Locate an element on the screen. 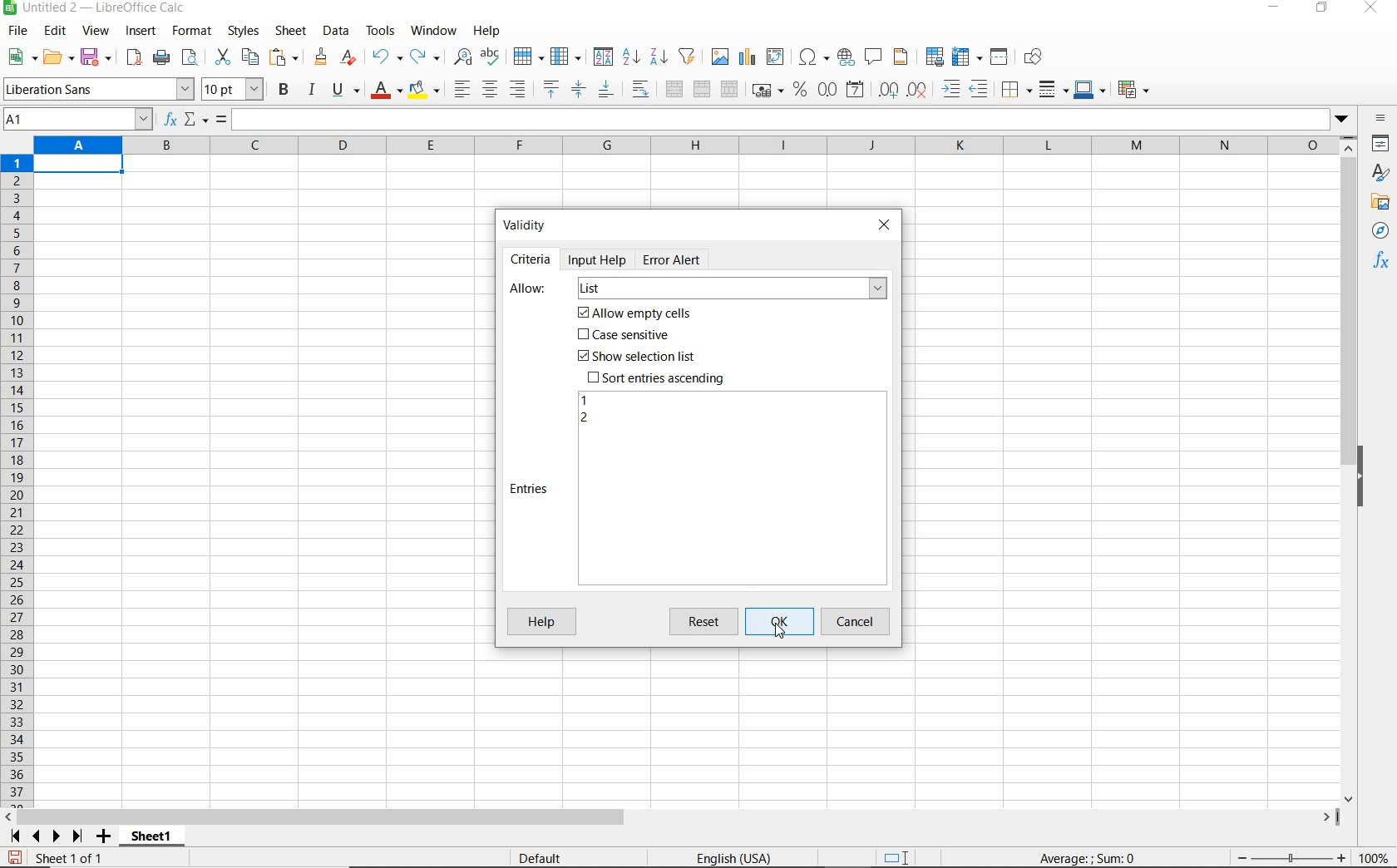 The image size is (1397, 868). headers and footers is located at coordinates (904, 57).